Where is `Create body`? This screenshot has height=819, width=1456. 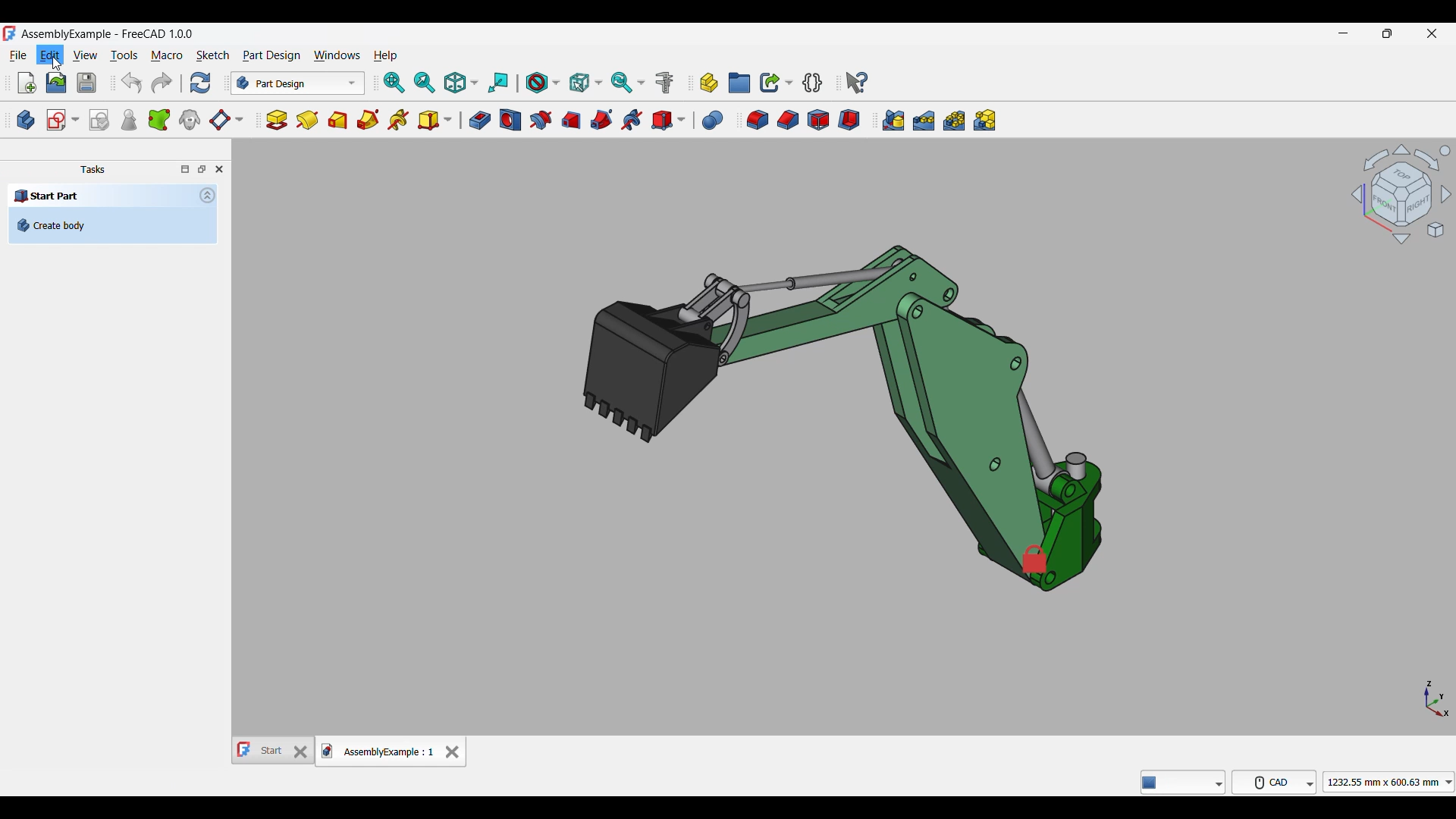
Create body is located at coordinates (26, 120).